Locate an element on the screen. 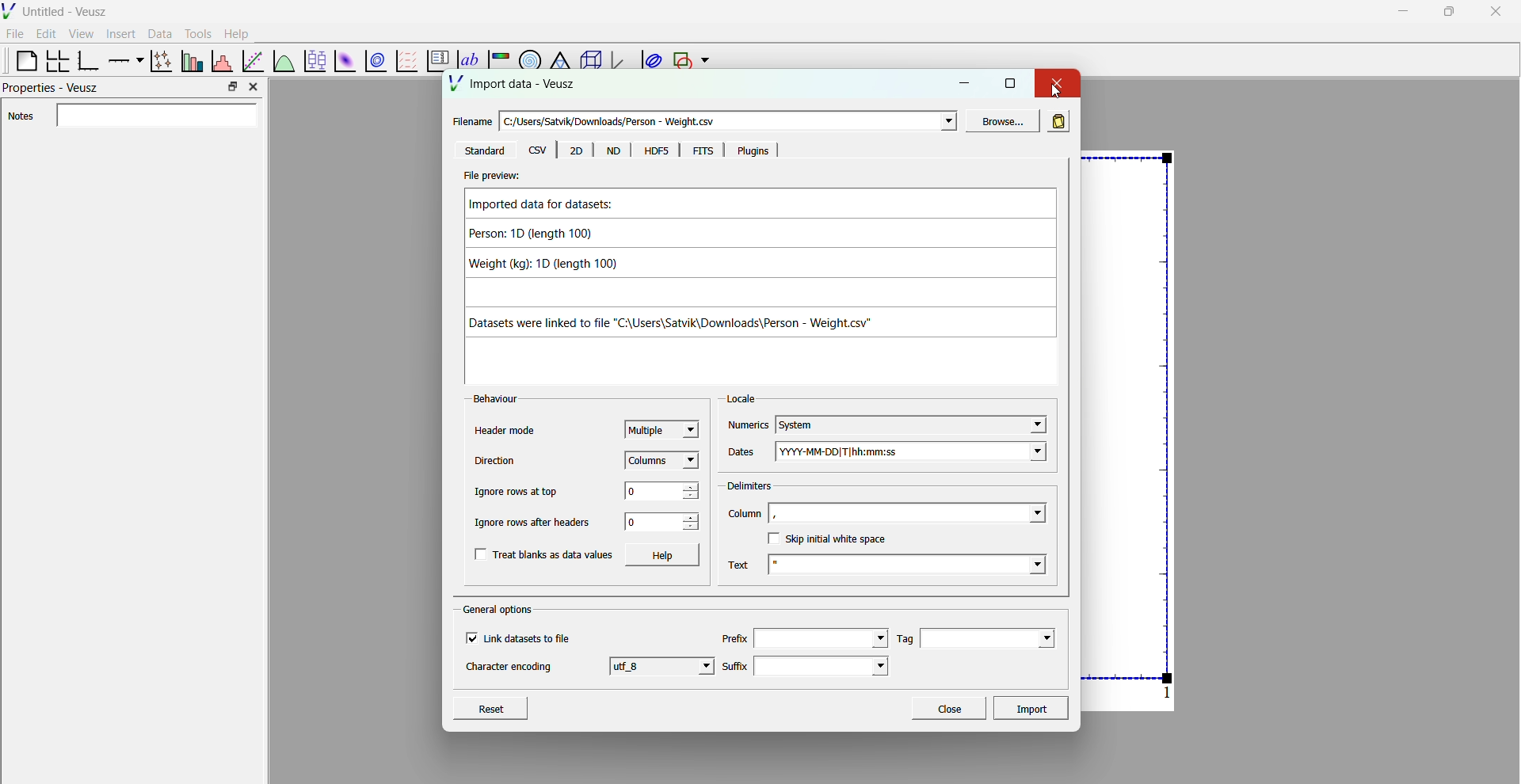 Image resolution: width=1521 pixels, height=784 pixels. cursor is located at coordinates (1069, 94).